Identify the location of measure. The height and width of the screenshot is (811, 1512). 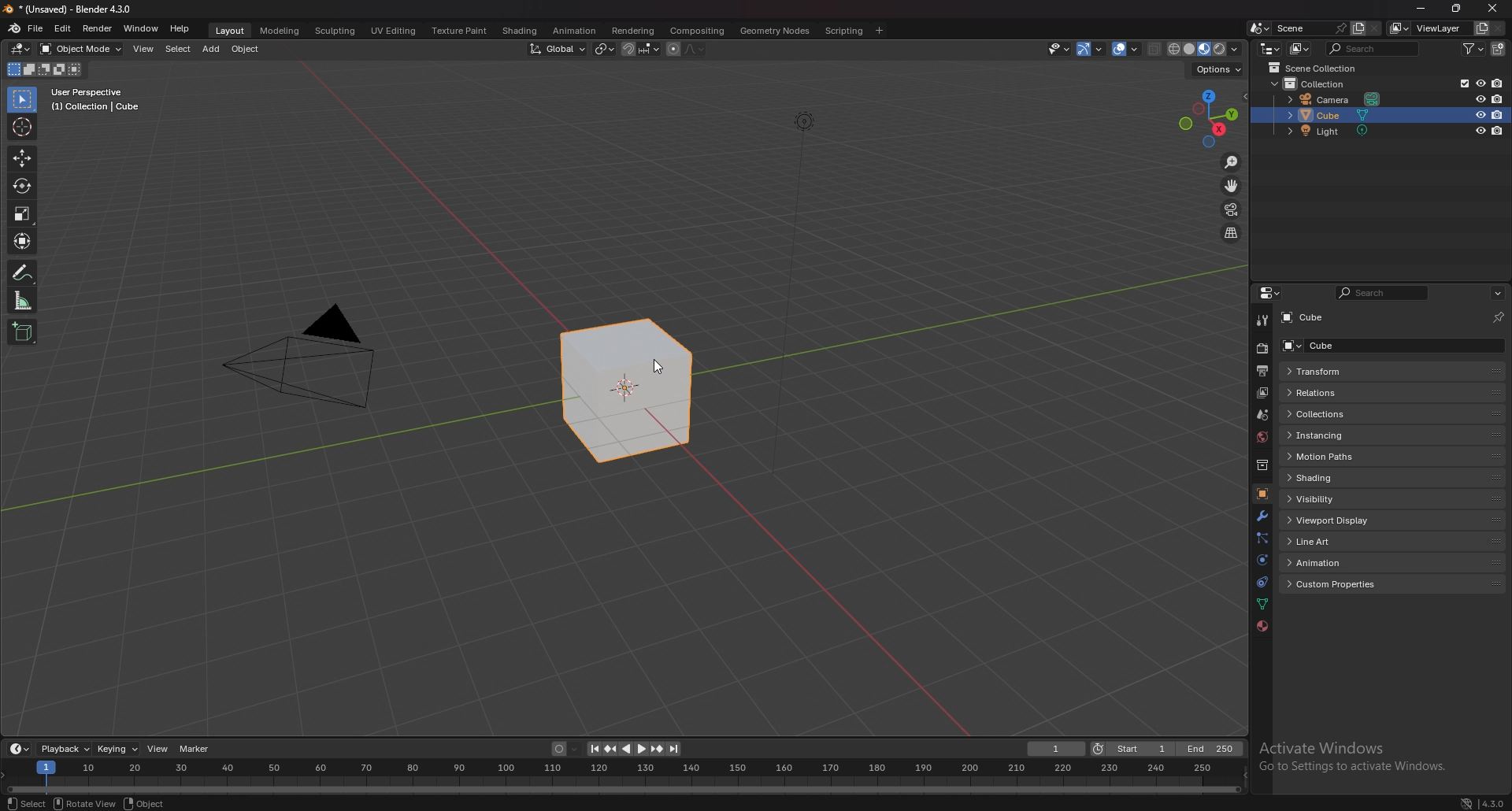
(23, 300).